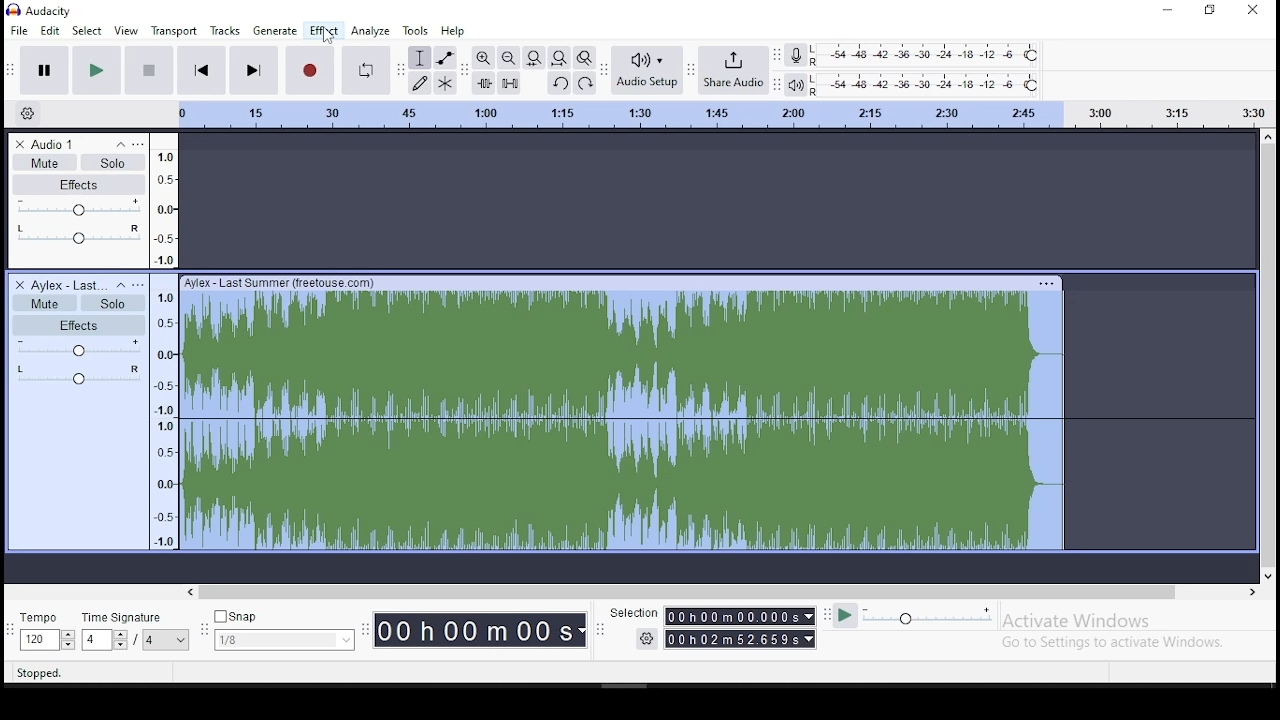  What do you see at coordinates (717, 114) in the screenshot?
I see `scale` at bounding box center [717, 114].